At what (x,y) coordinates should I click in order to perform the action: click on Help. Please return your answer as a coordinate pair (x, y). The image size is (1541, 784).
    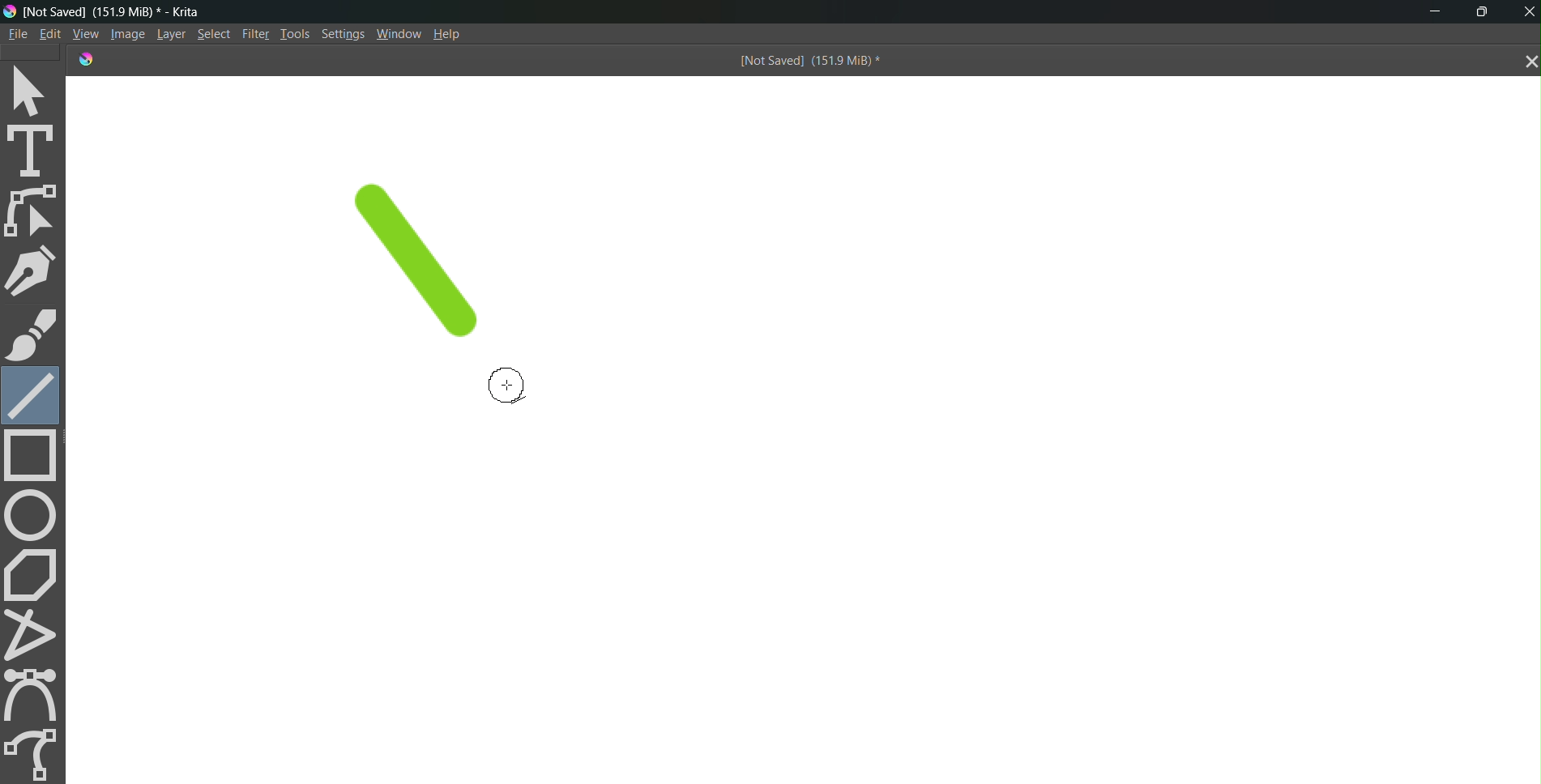
    Looking at the image, I should click on (454, 34).